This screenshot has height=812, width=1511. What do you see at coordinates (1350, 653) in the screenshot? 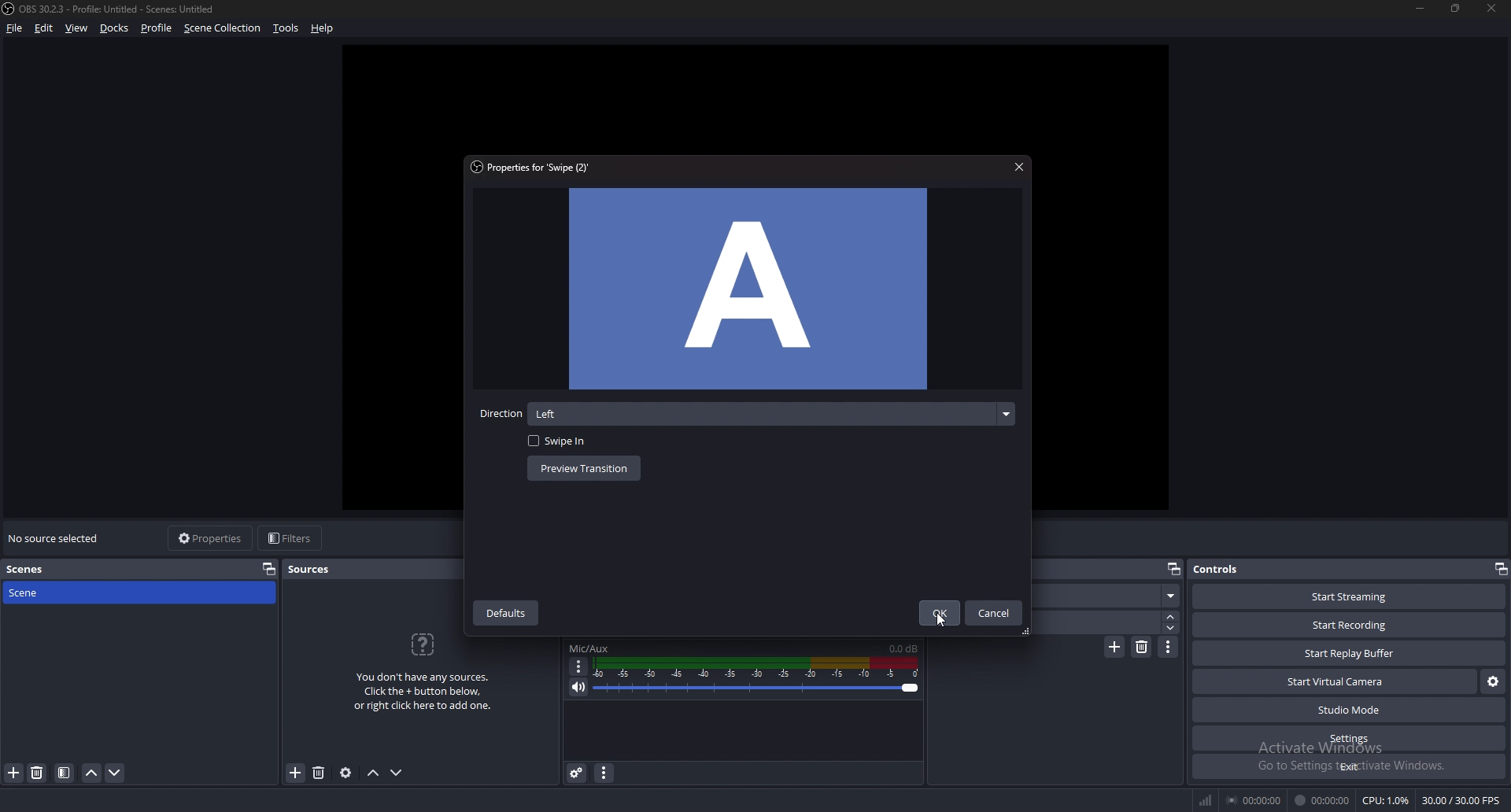
I see `start play buffer` at bounding box center [1350, 653].